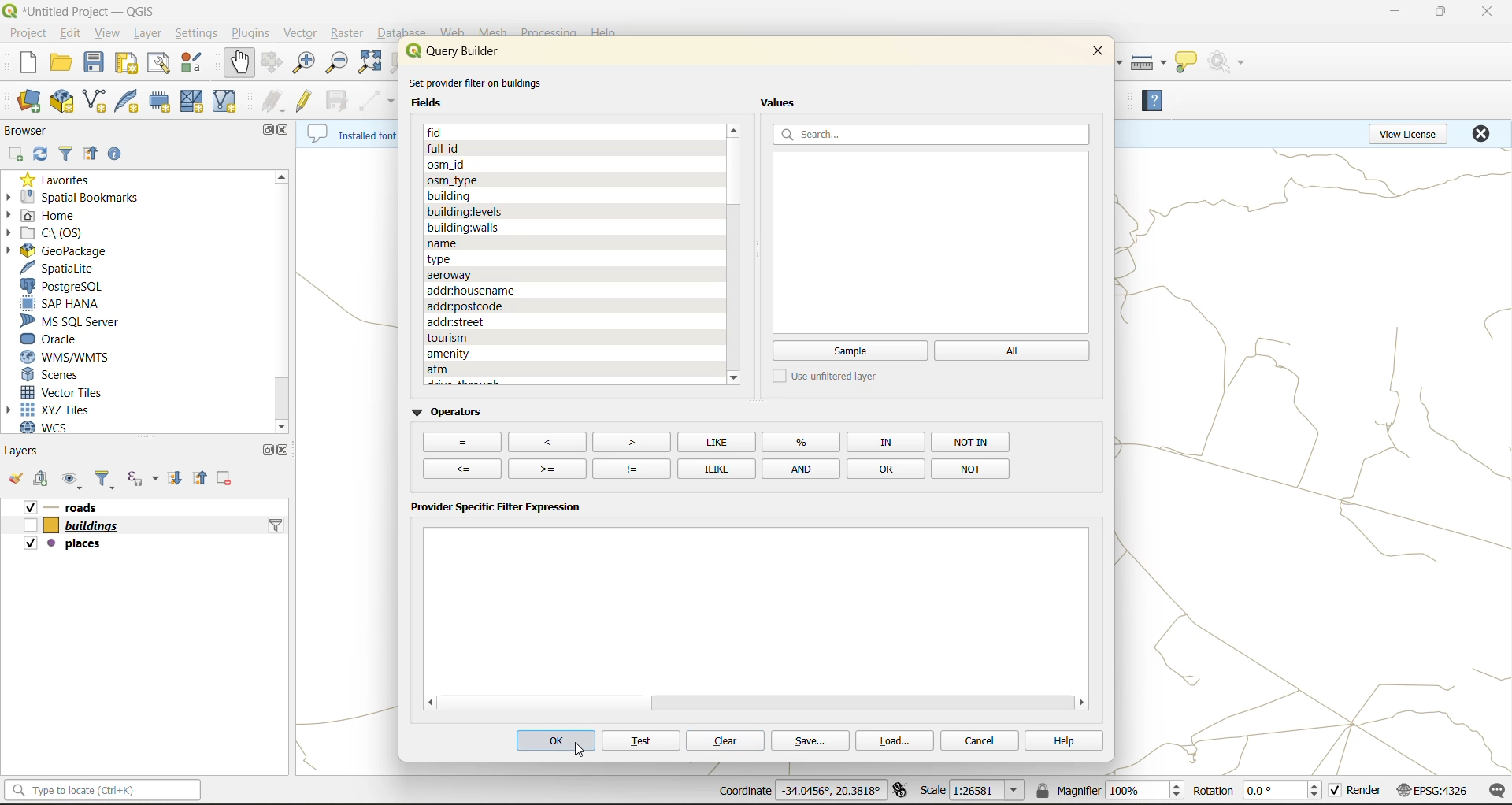 The width and height of the screenshot is (1512, 805). I want to click on fields, so click(447, 148).